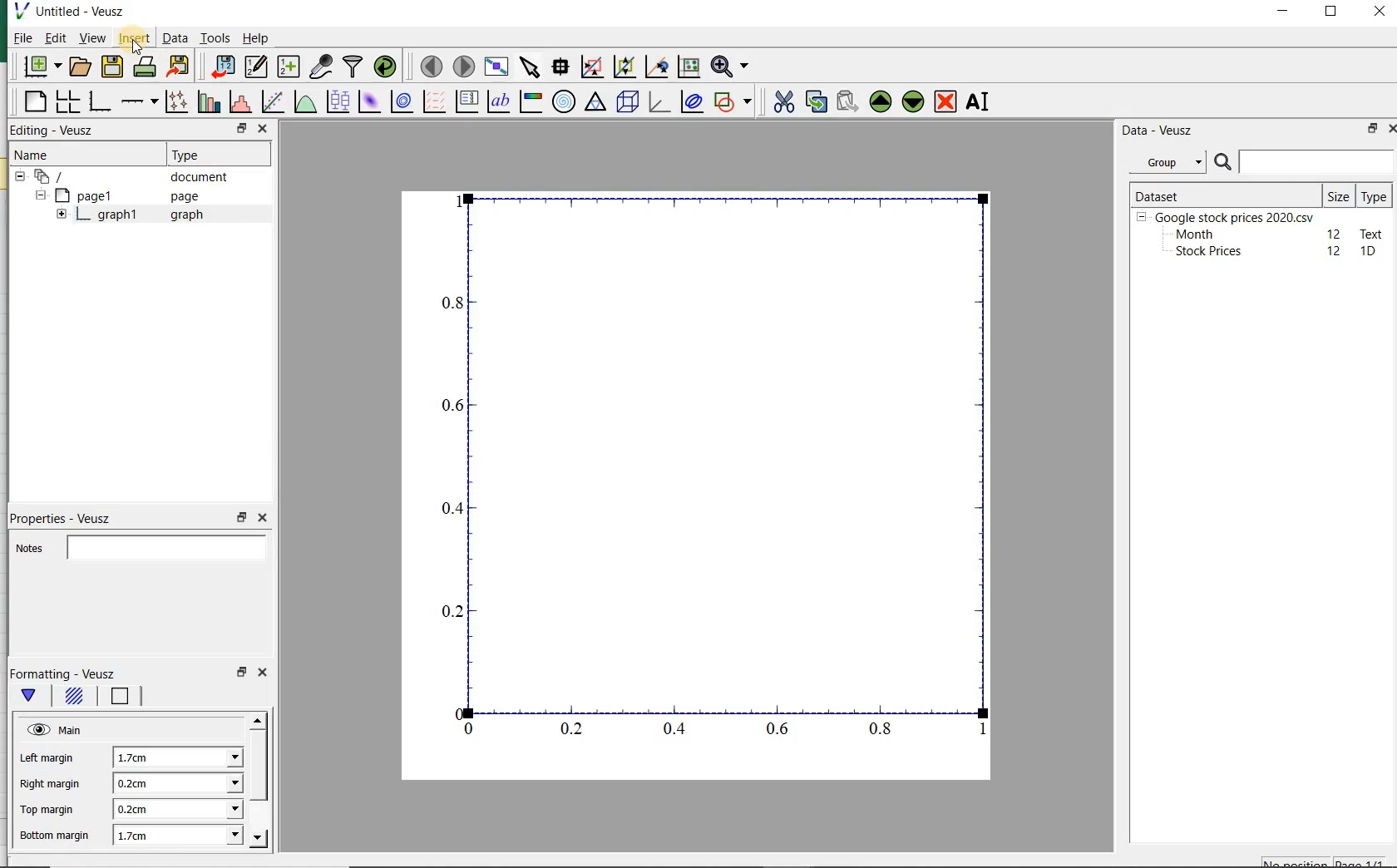 This screenshot has height=868, width=1397. Describe the element at coordinates (42, 67) in the screenshot. I see `new document` at that location.